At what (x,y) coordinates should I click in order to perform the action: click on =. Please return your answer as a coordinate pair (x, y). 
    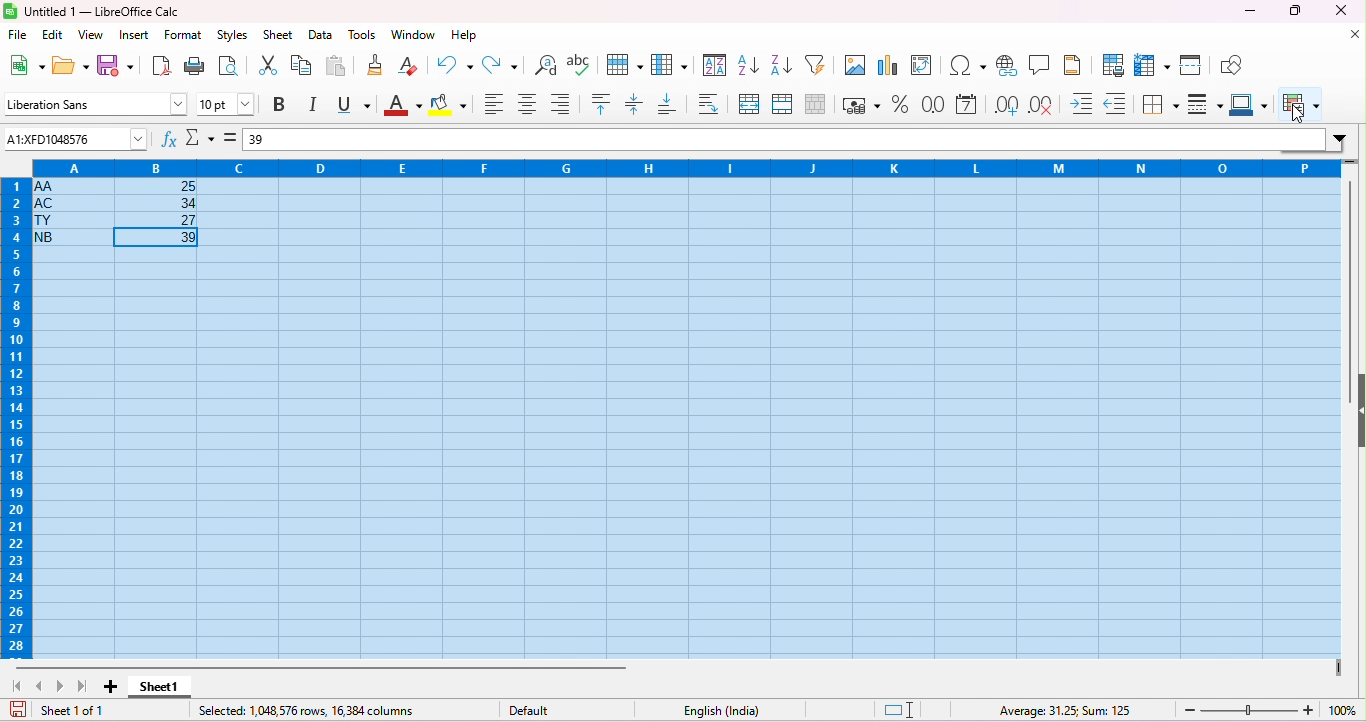
    Looking at the image, I should click on (231, 138).